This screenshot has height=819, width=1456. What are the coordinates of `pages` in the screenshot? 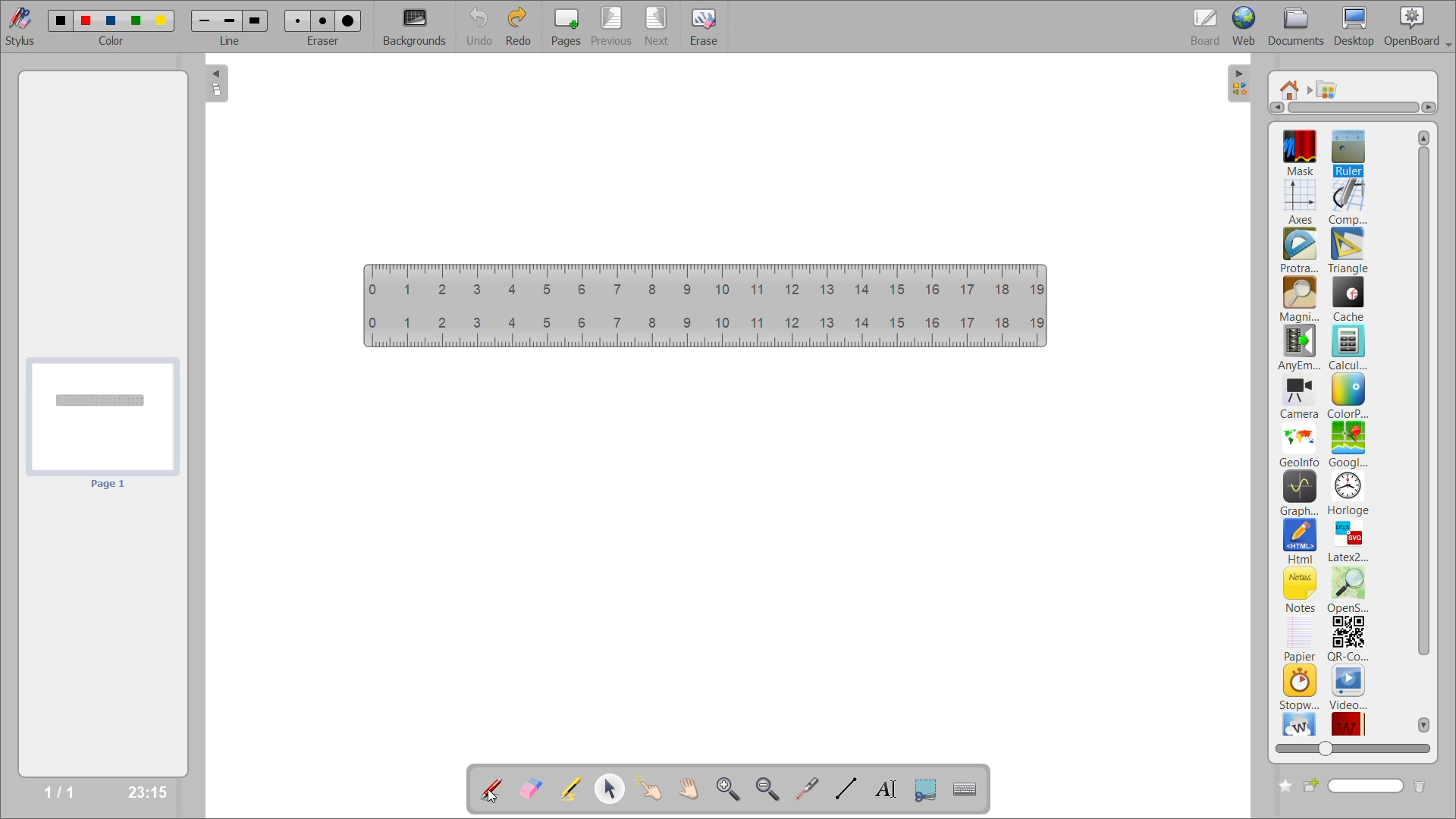 It's located at (570, 24).